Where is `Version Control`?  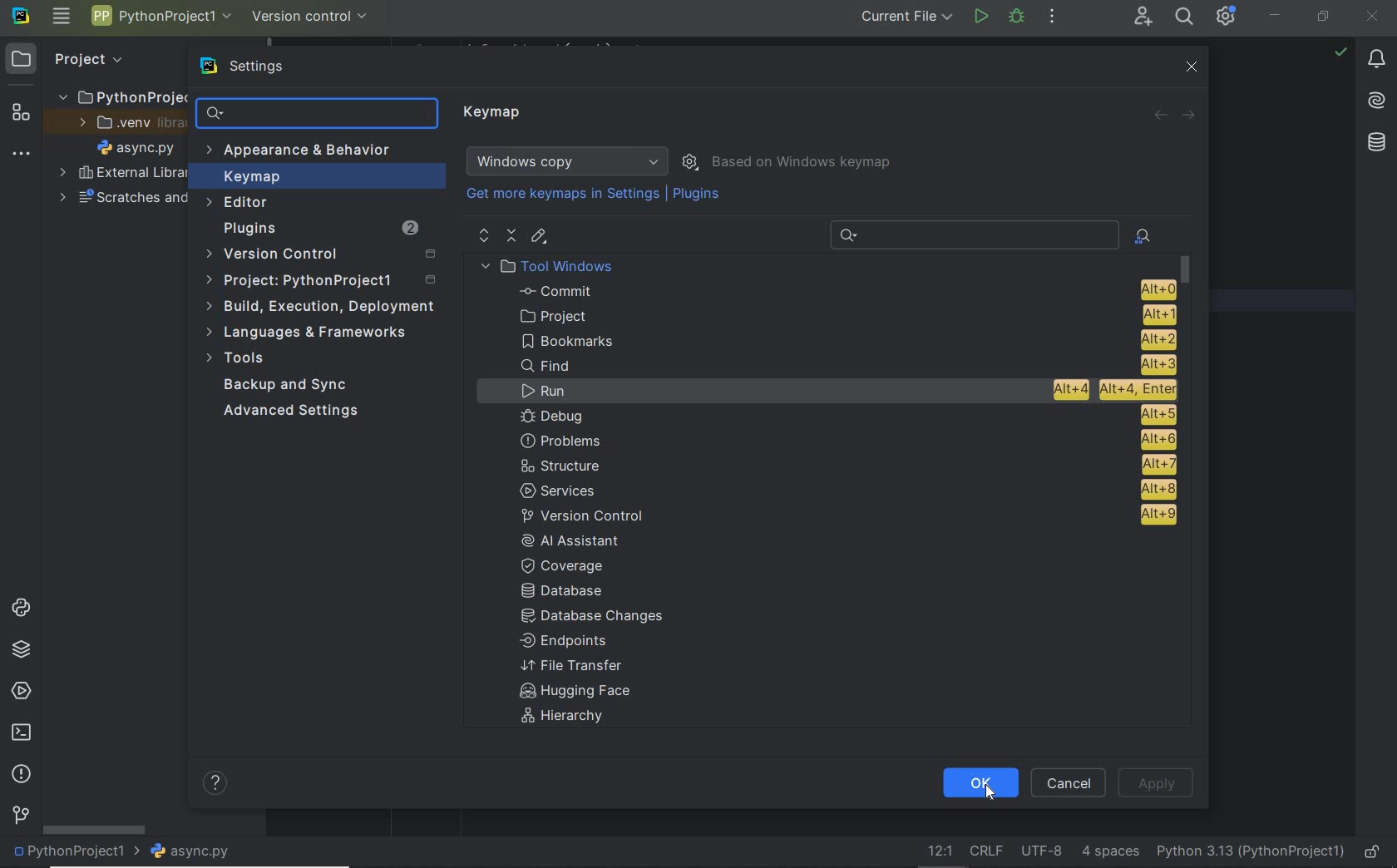 Version Control is located at coordinates (320, 255).